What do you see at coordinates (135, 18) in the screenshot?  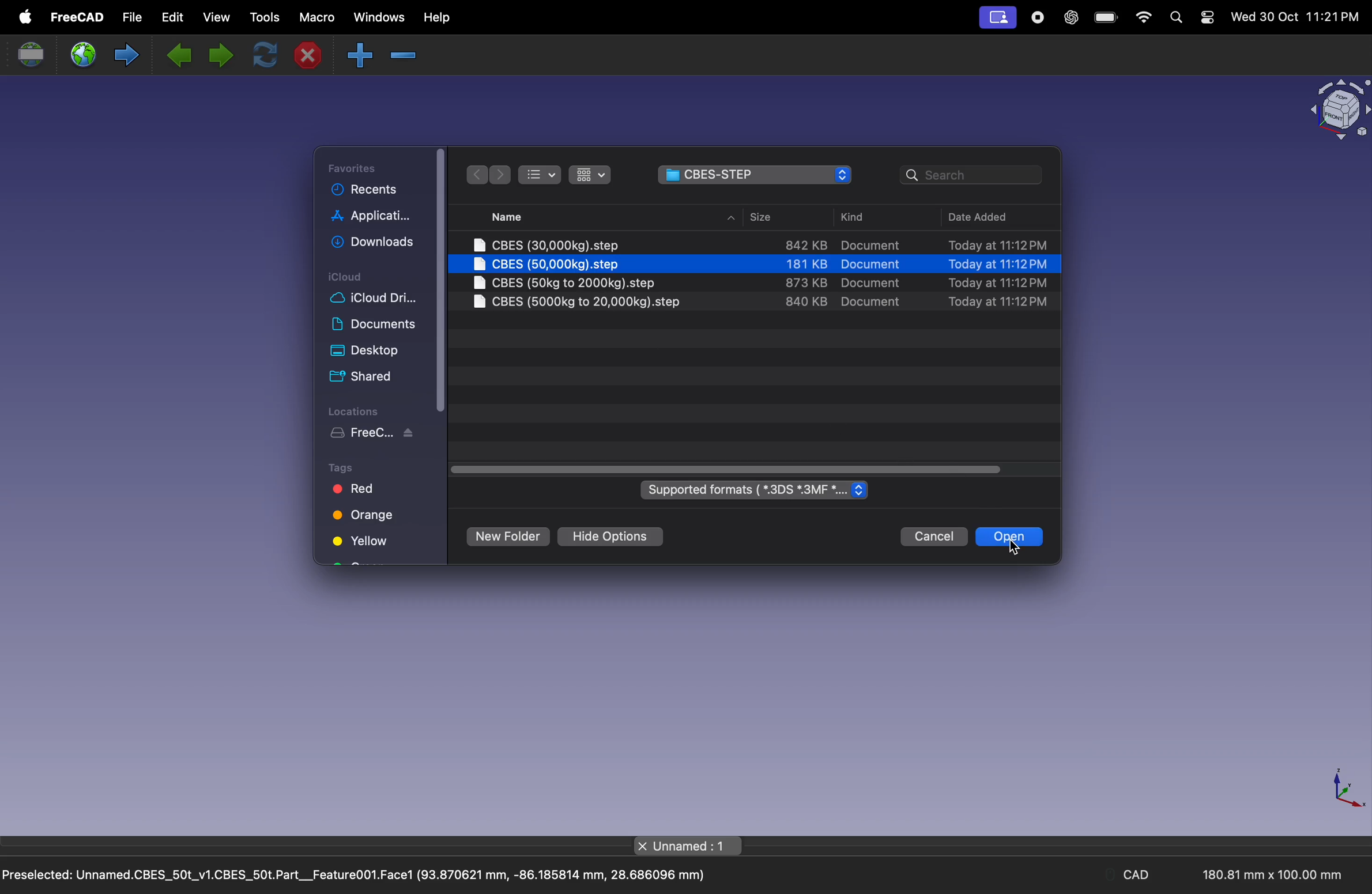 I see `file` at bounding box center [135, 18].